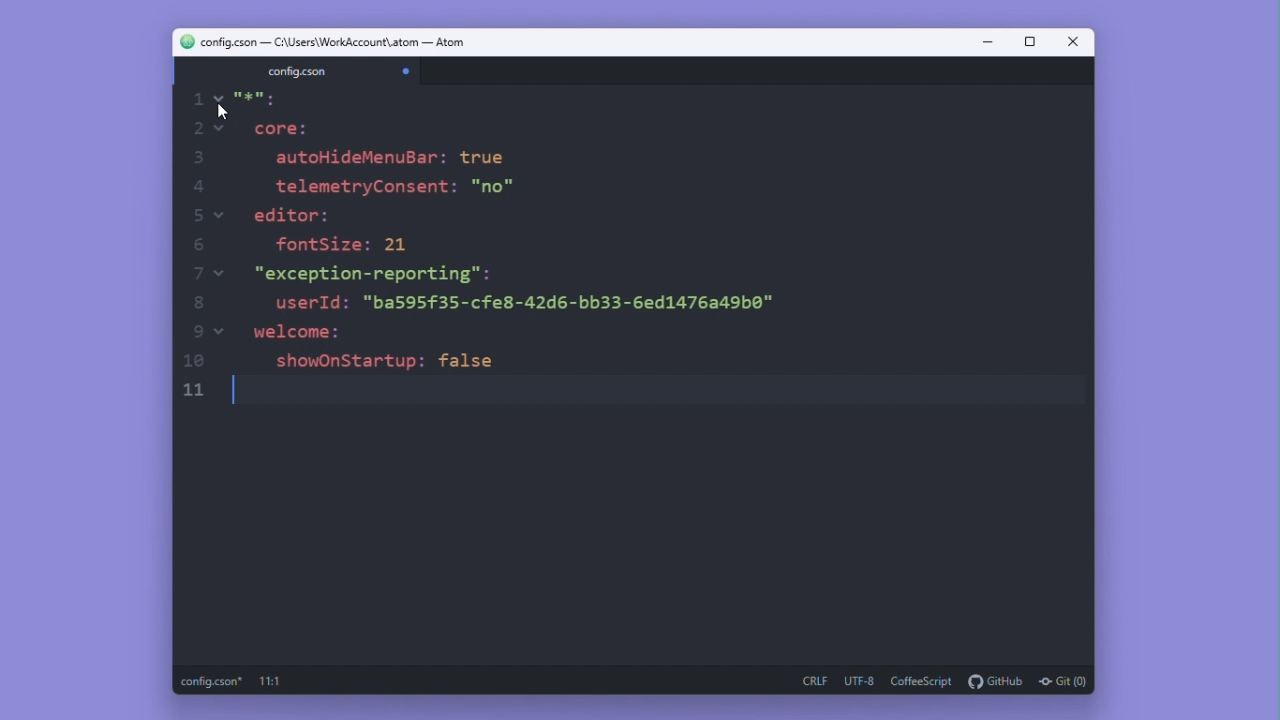 The height and width of the screenshot is (720, 1280). Describe the element at coordinates (221, 115) in the screenshot. I see `cursor` at that location.